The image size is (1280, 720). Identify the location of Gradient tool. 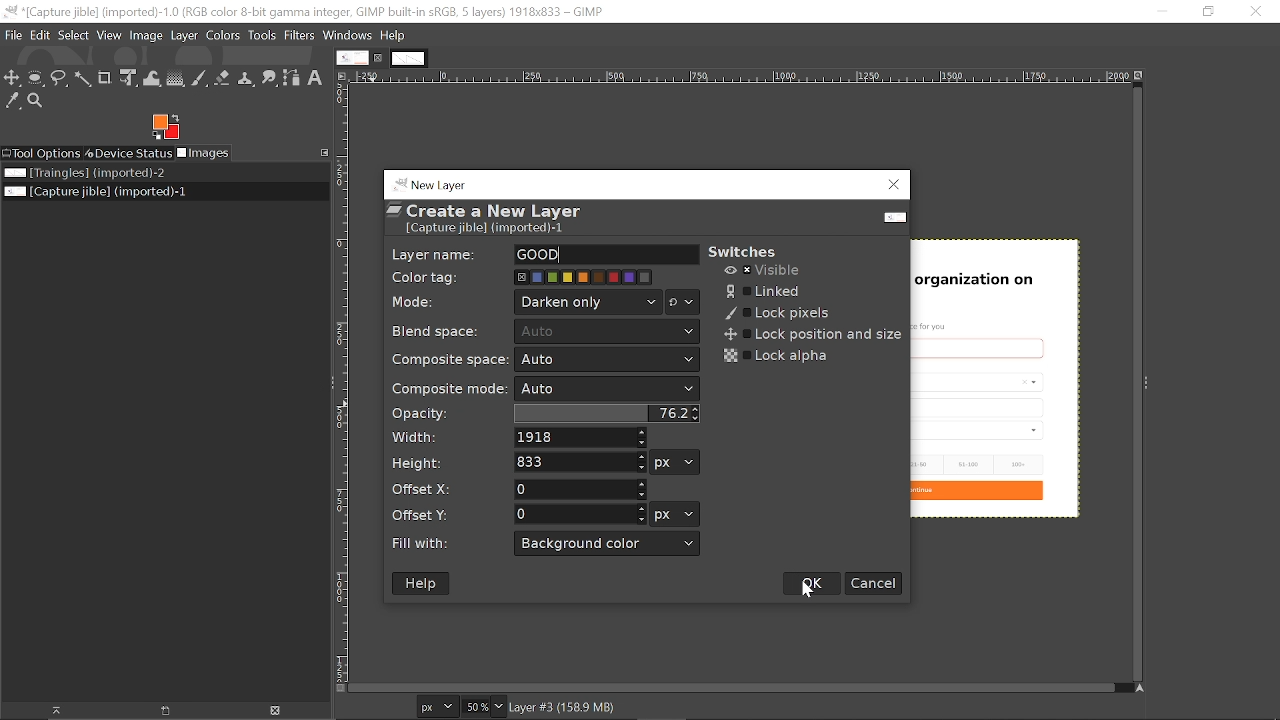
(175, 78).